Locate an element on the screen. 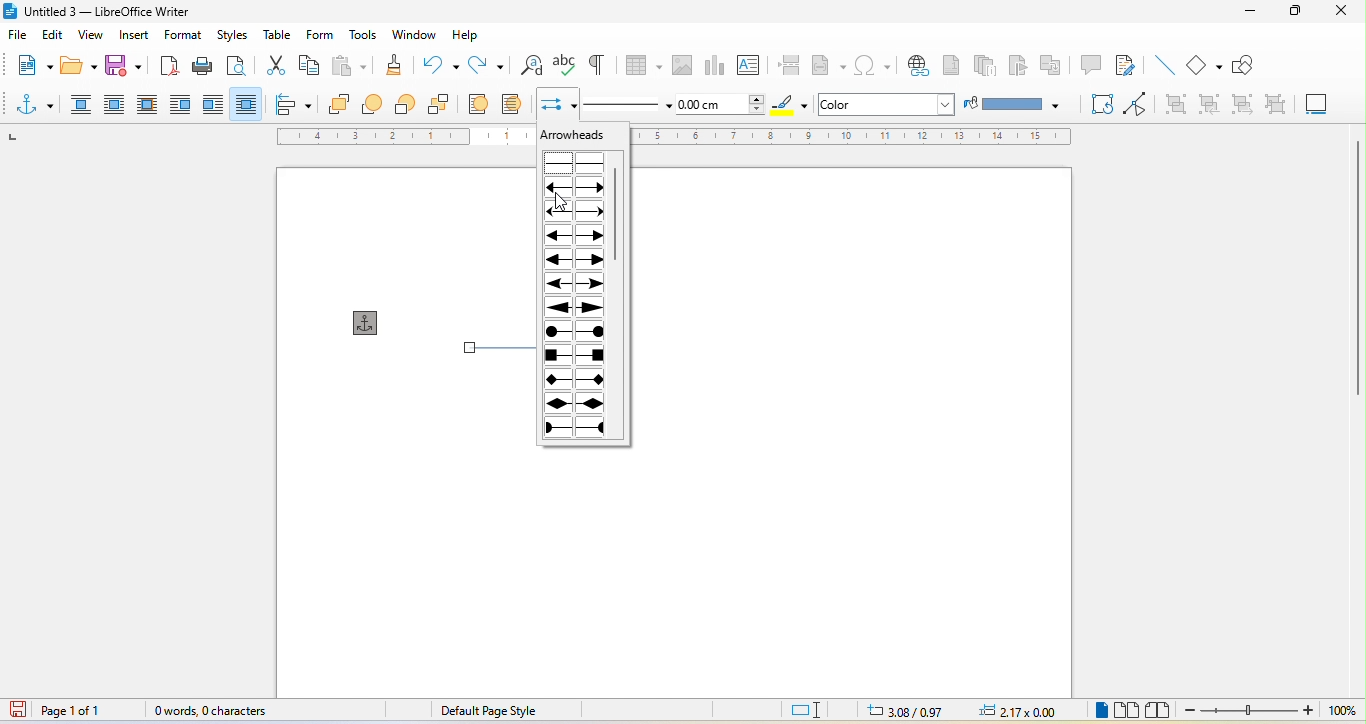  cut is located at coordinates (271, 63).